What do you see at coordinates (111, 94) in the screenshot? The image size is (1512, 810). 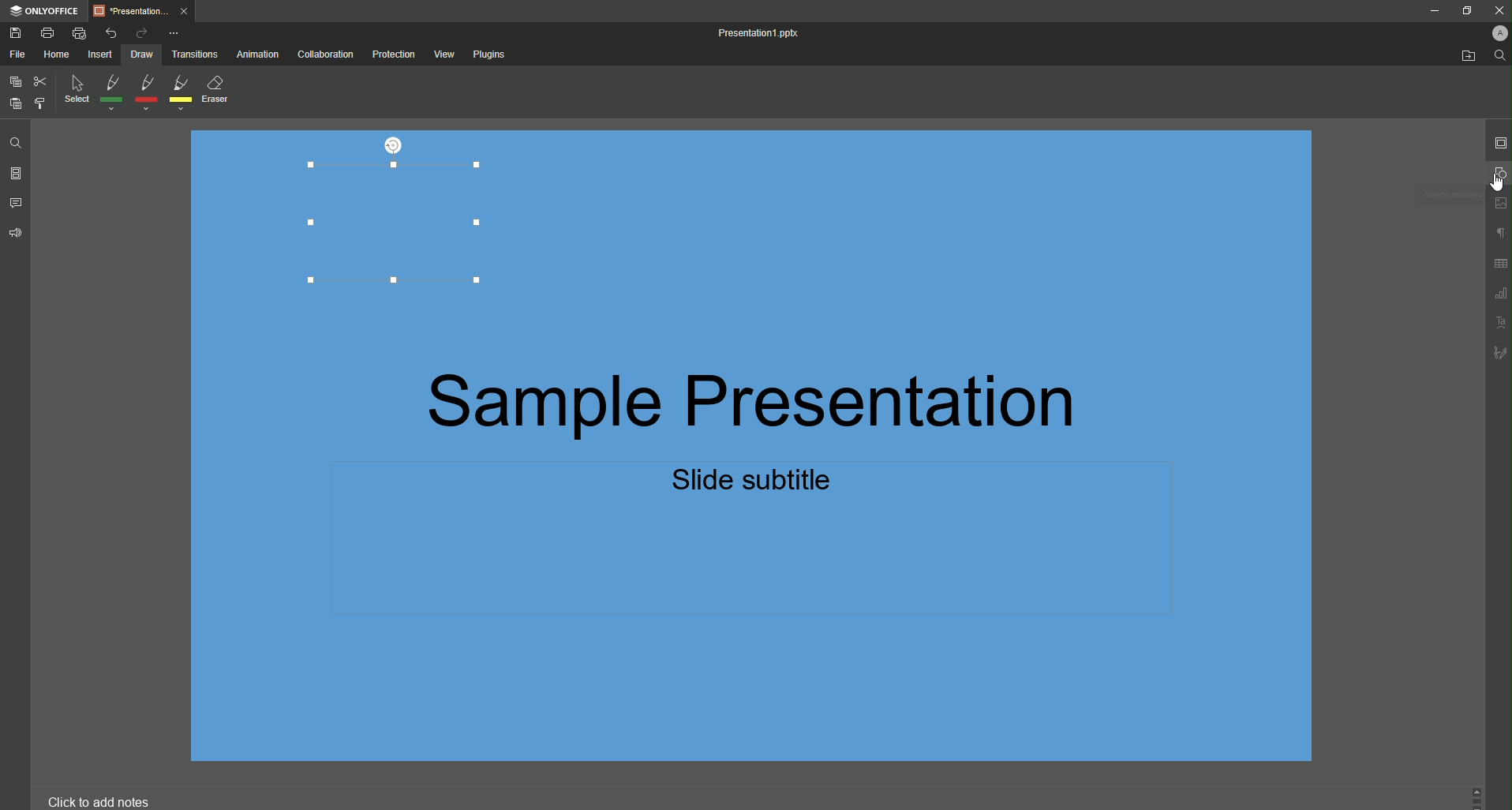 I see `Green` at bounding box center [111, 94].